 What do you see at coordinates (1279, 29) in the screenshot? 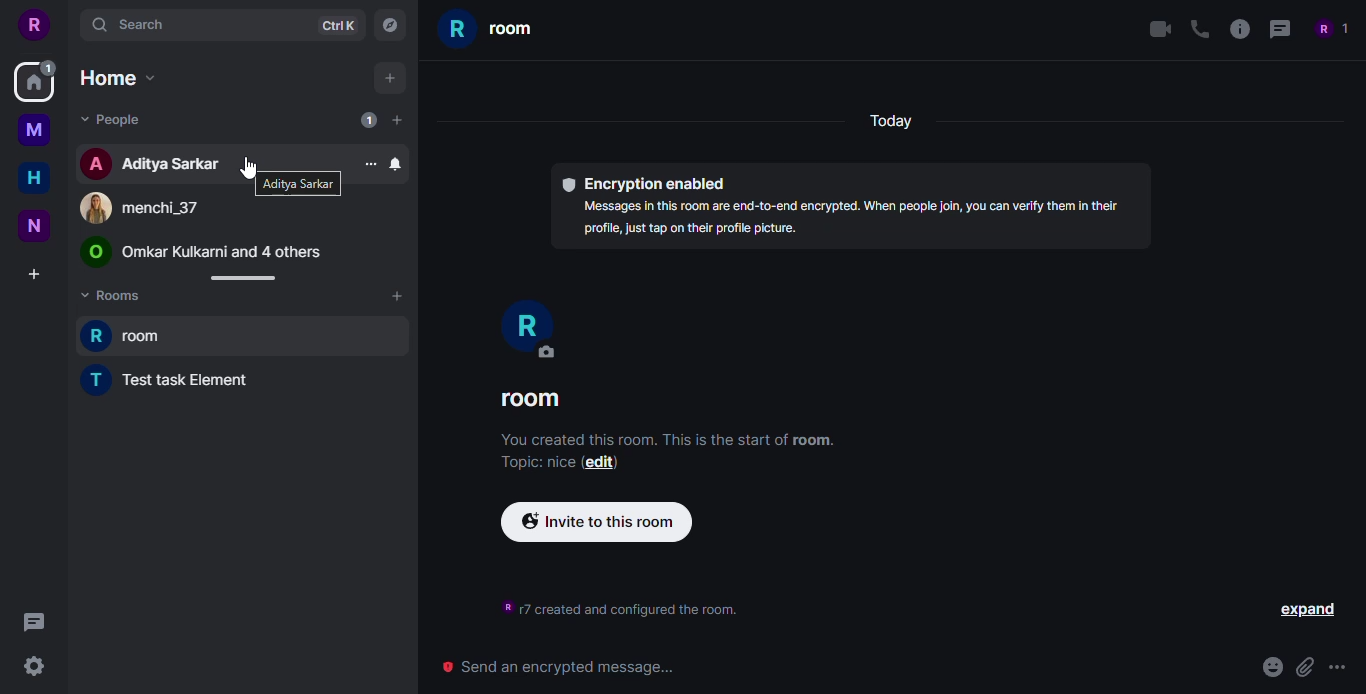
I see `threads` at bounding box center [1279, 29].